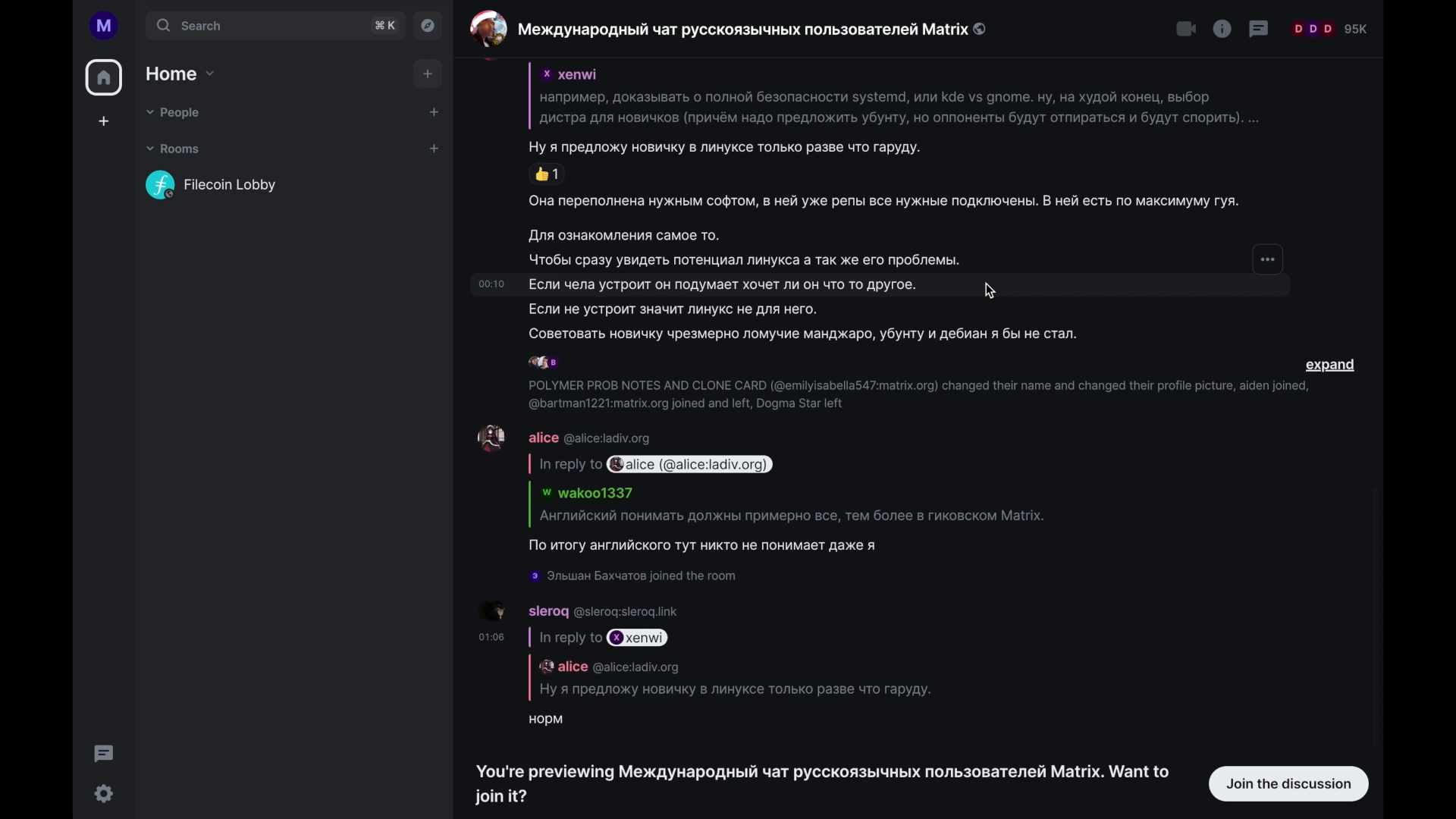 The width and height of the screenshot is (1456, 819). Describe the element at coordinates (105, 77) in the screenshot. I see `home` at that location.